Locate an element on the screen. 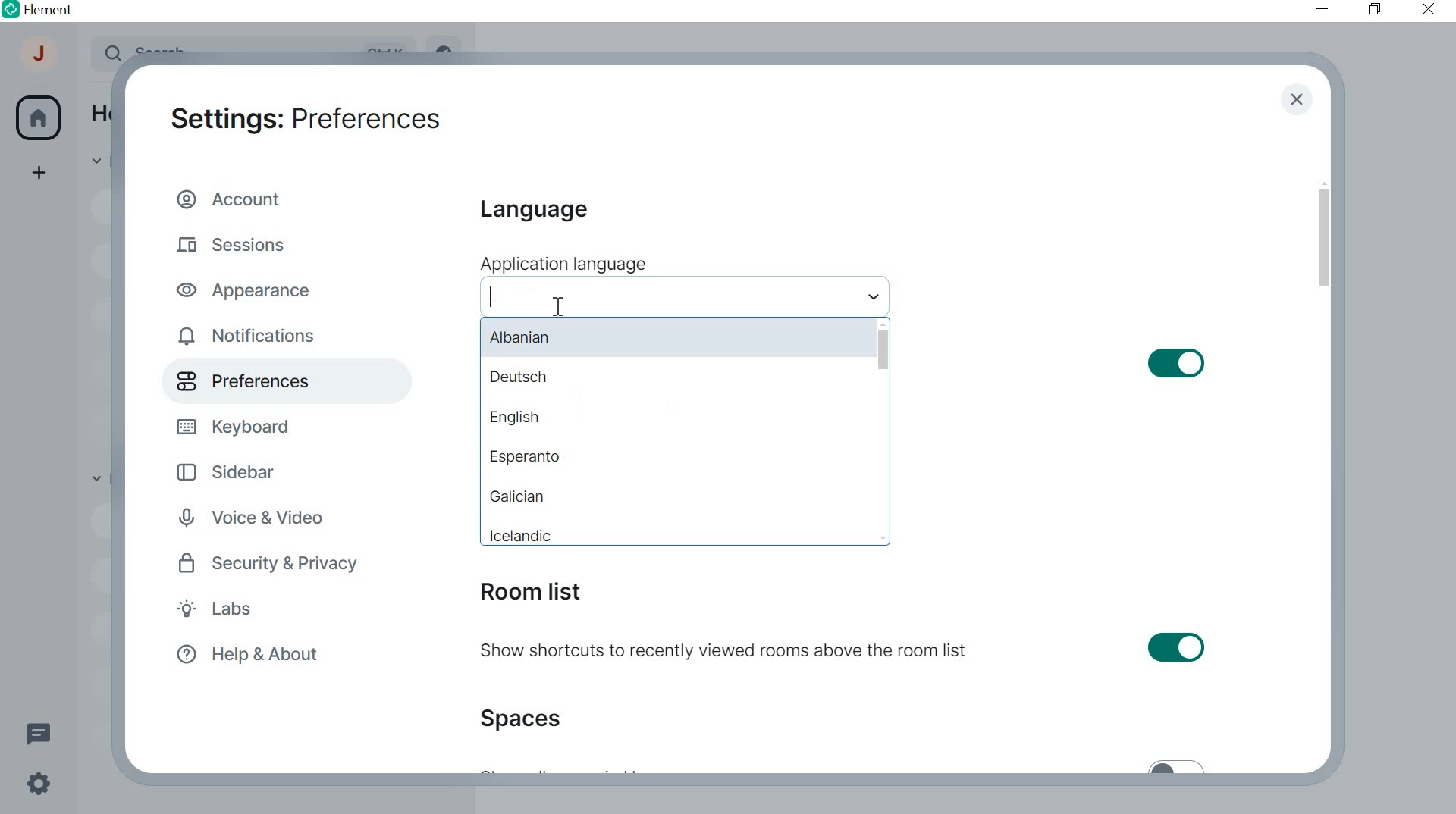 The width and height of the screenshot is (1456, 814). scrollbar is located at coordinates (883, 349).